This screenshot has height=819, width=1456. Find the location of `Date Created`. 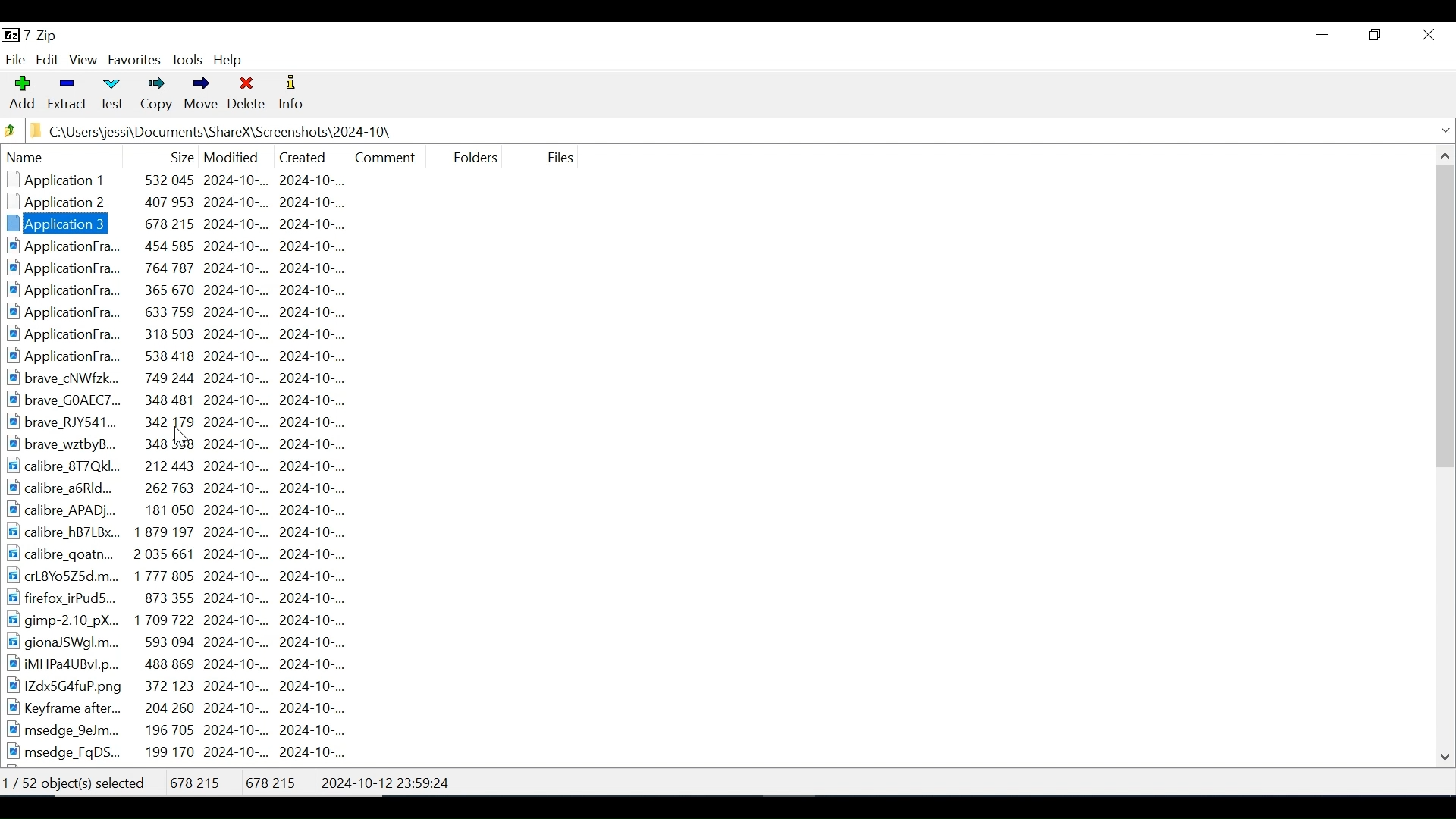

Date Created is located at coordinates (301, 155).